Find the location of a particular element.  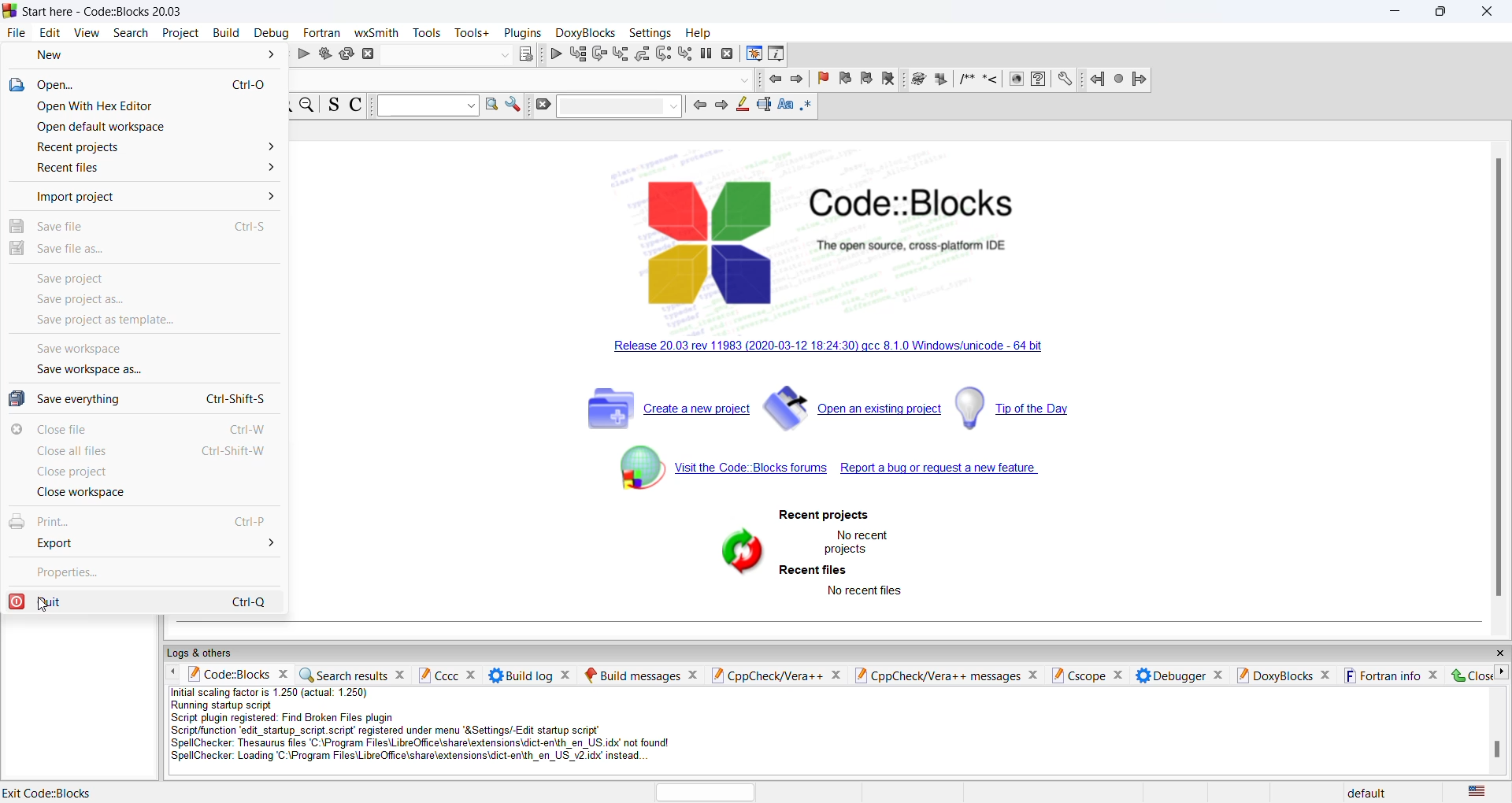

break debugger is located at coordinates (707, 53).